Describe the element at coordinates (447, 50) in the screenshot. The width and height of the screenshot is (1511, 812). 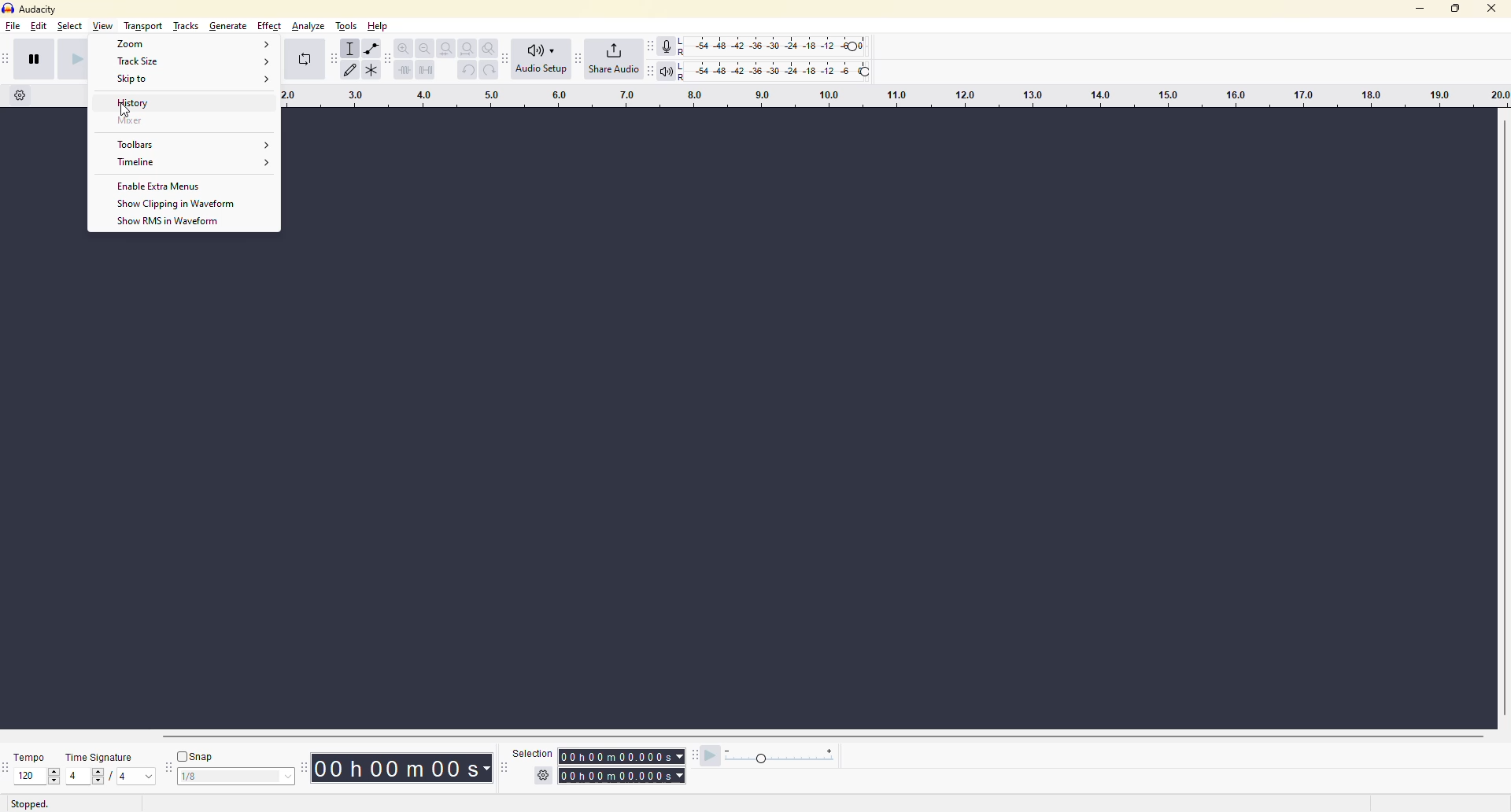
I see `fit selection to width` at that location.